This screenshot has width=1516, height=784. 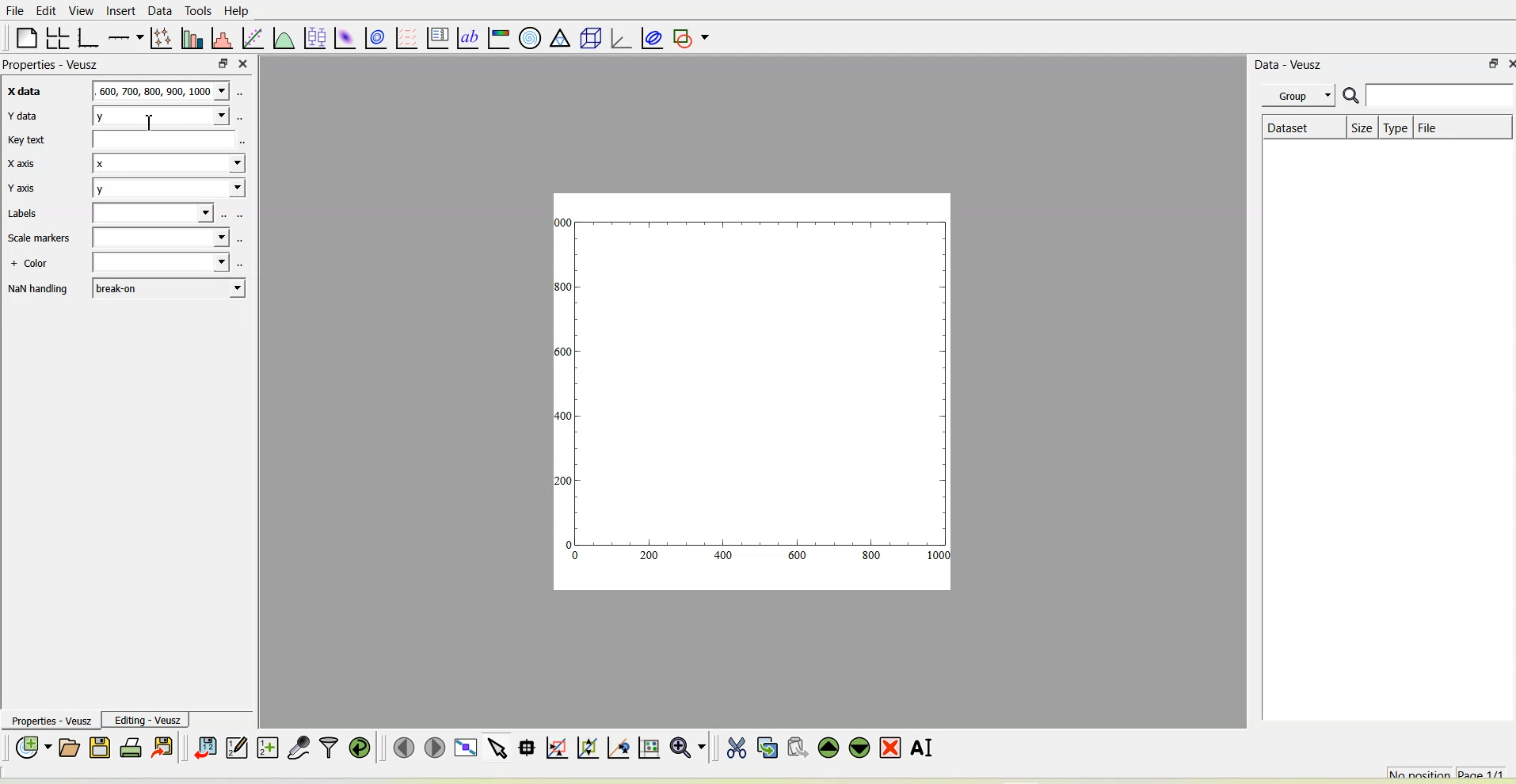 I want to click on File, so click(x=1431, y=127).